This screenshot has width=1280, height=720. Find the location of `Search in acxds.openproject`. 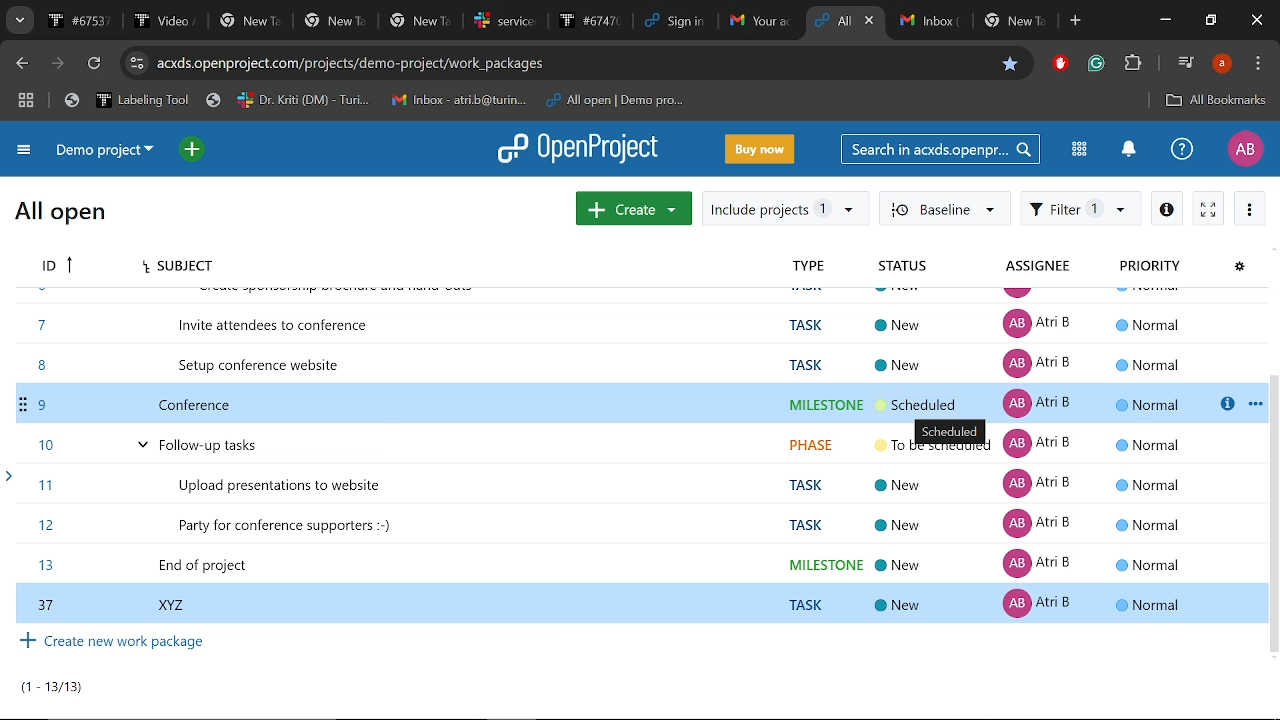

Search in acxds.openproject is located at coordinates (942, 148).